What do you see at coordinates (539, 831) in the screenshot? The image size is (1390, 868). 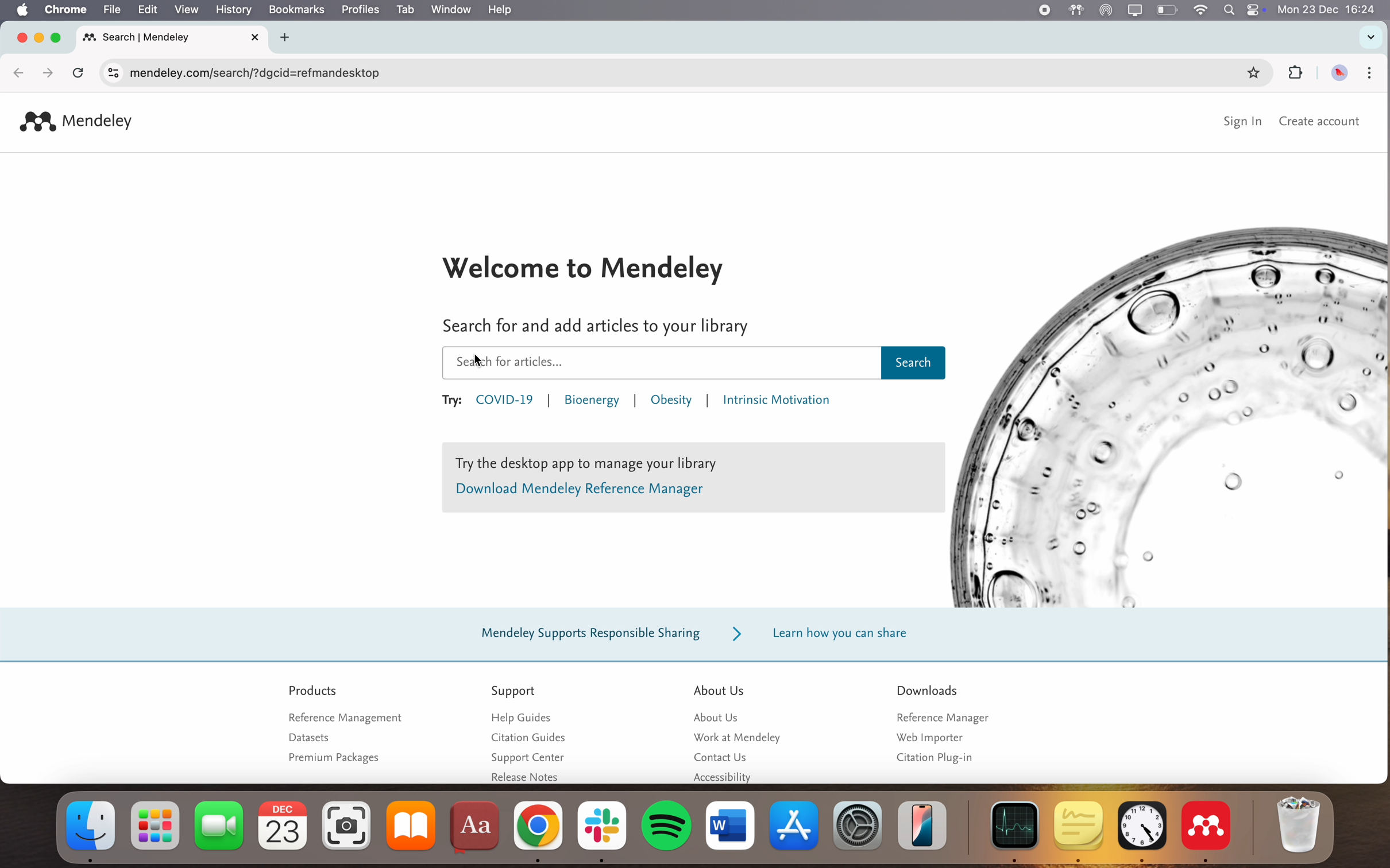 I see `Google Chrome` at bounding box center [539, 831].